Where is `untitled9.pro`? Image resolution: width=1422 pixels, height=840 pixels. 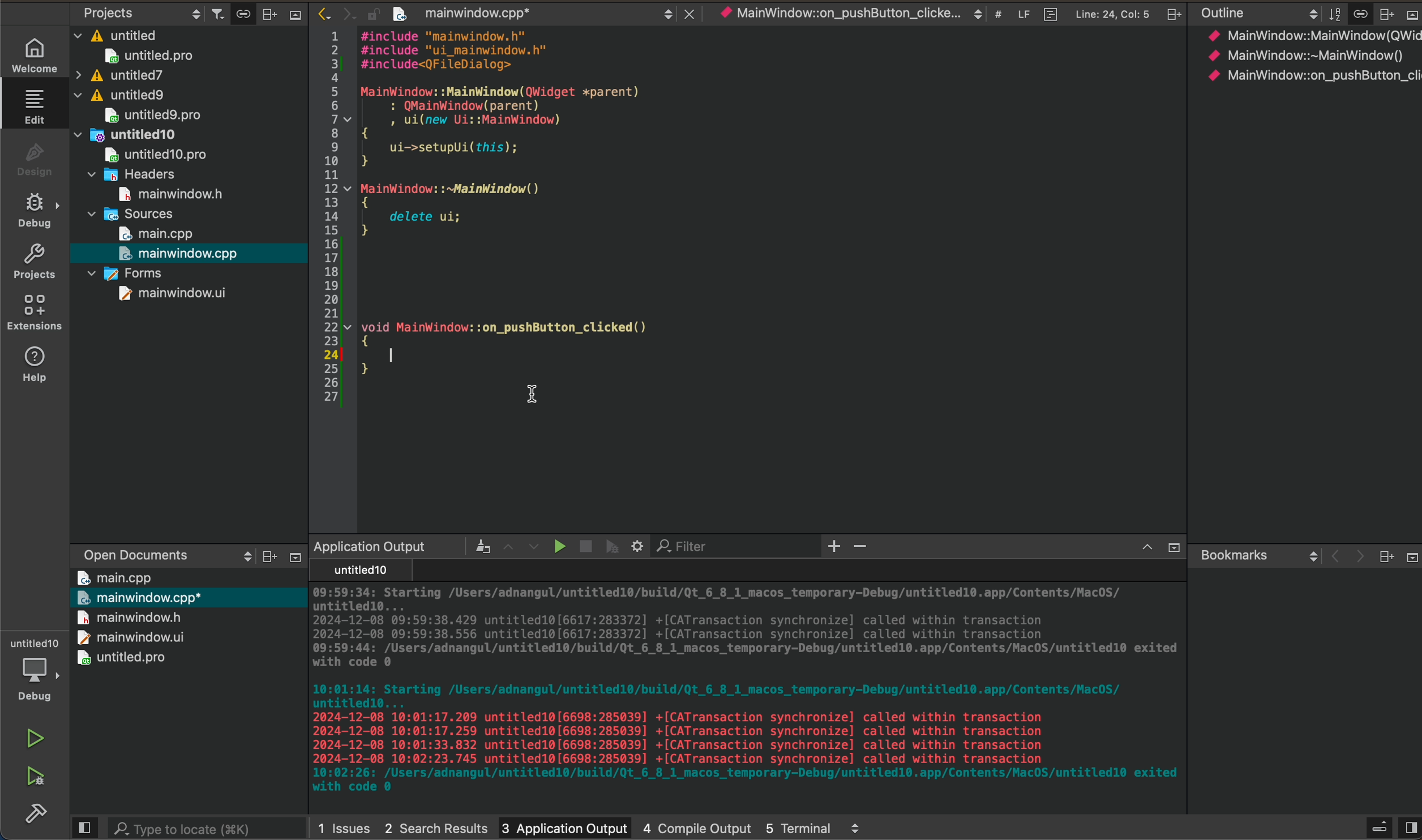 untitled9.pro is located at coordinates (152, 115).